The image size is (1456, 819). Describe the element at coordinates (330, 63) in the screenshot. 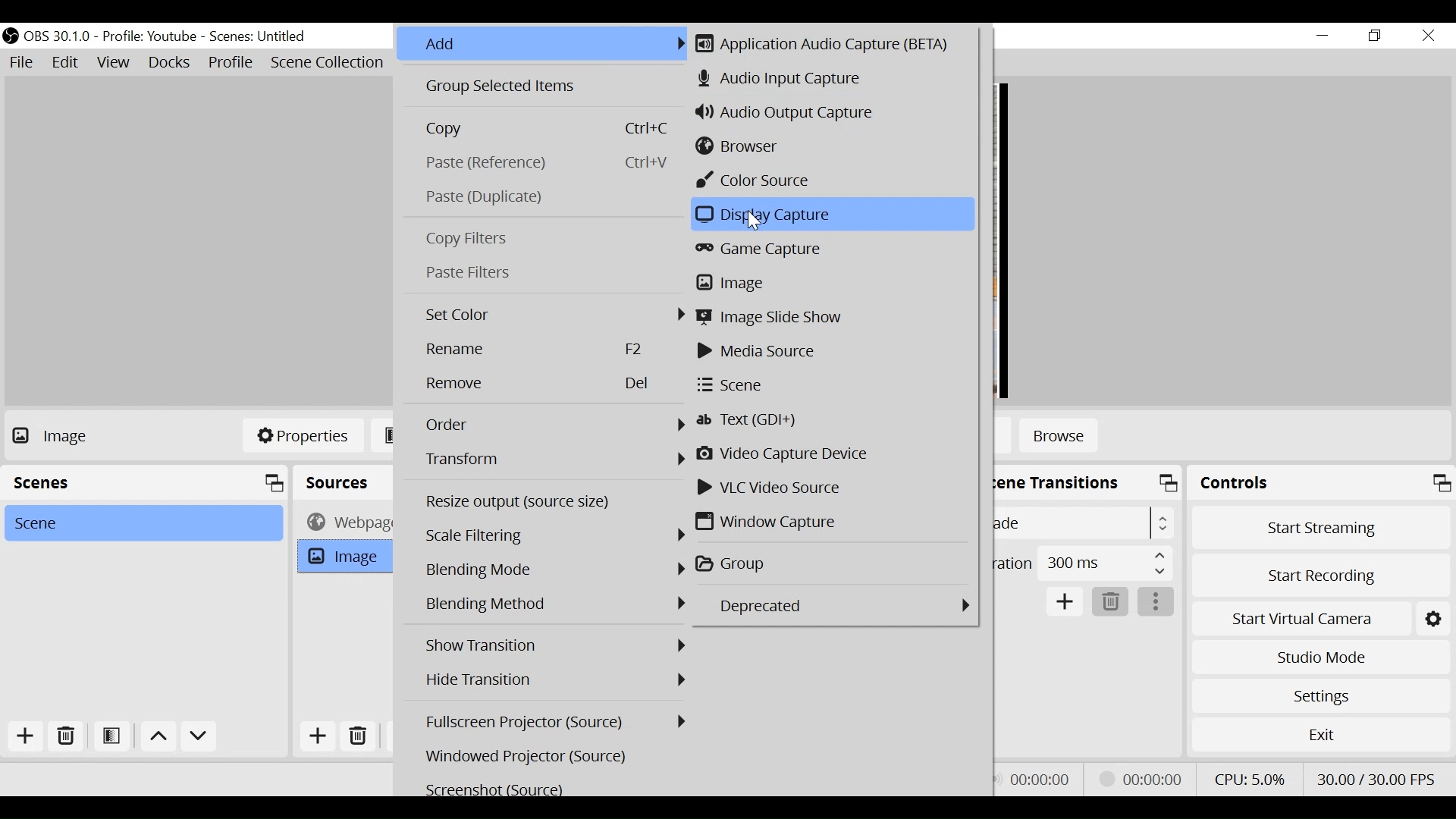

I see `Scene Collection` at that location.